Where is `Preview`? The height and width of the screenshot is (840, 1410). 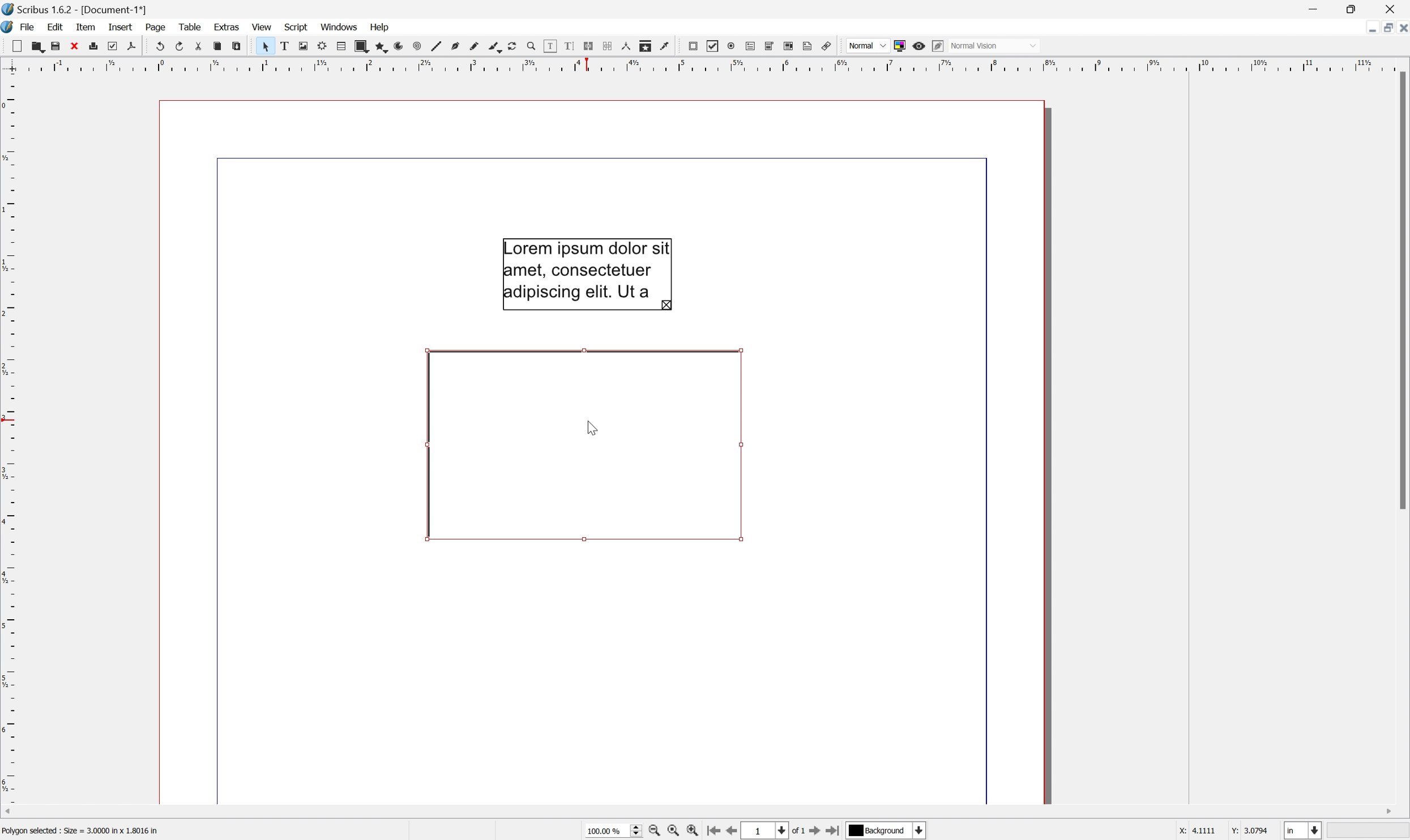
Preview is located at coordinates (919, 45).